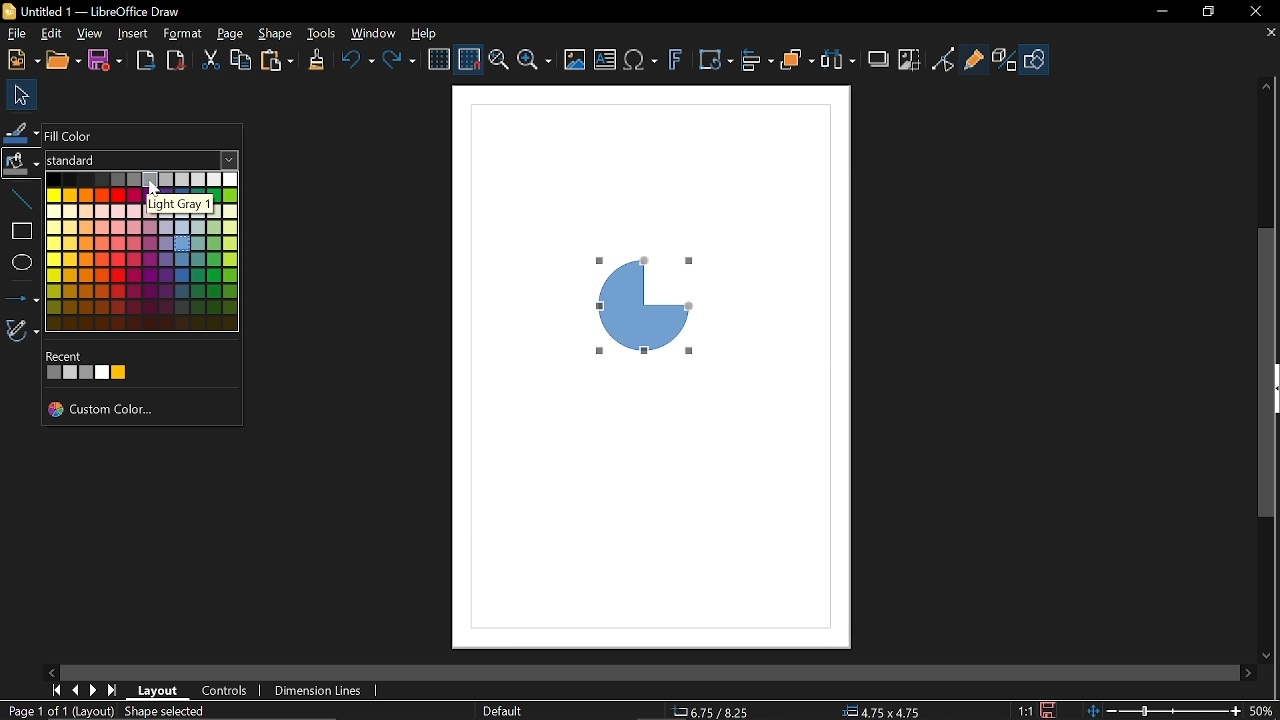  I want to click on 1:1 (Scaling factor of the document), so click(1038, 710).